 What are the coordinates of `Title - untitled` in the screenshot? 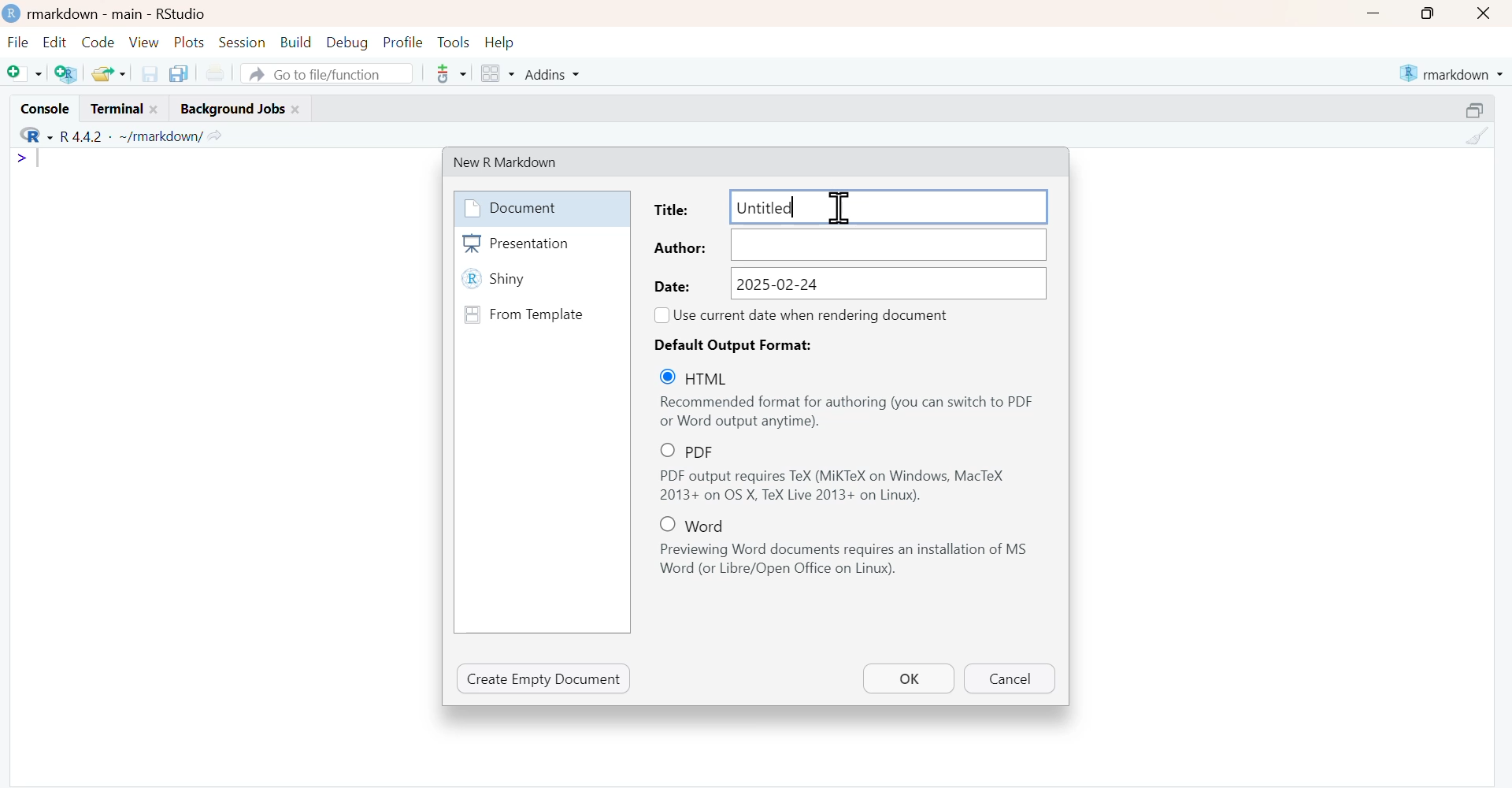 It's located at (847, 206).